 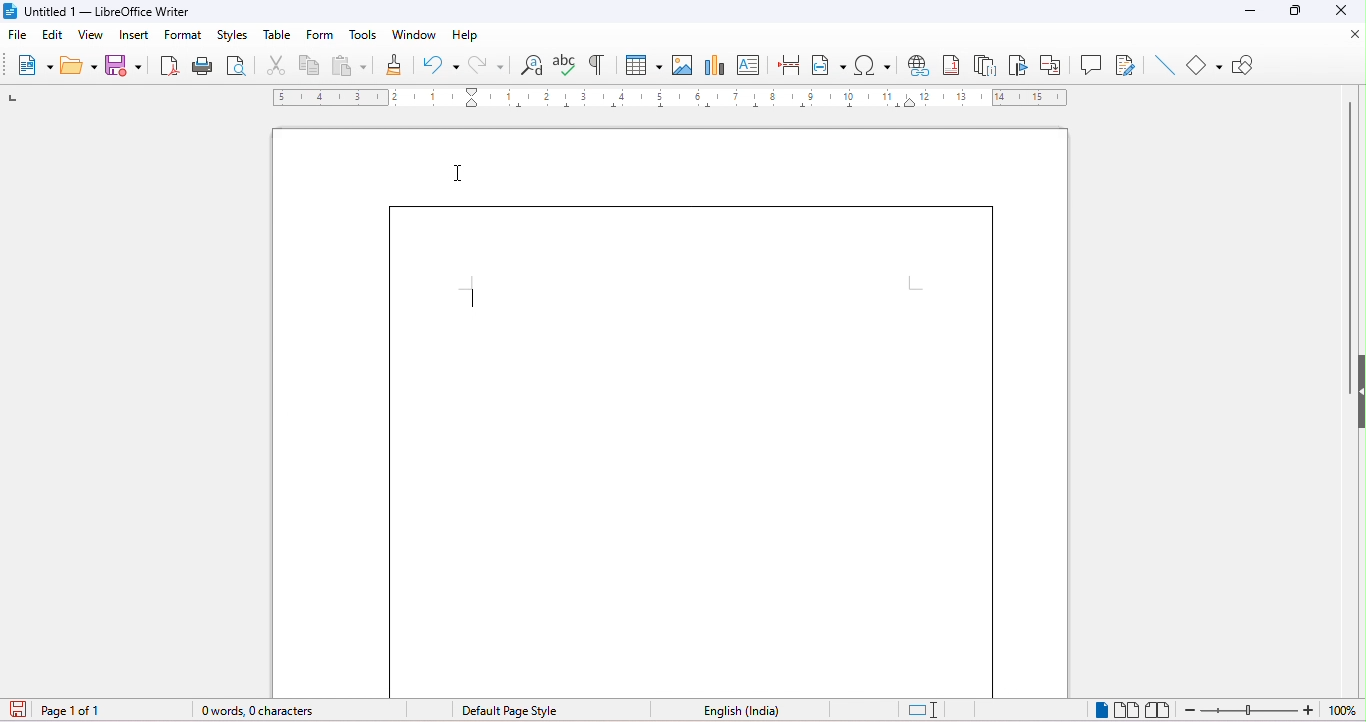 What do you see at coordinates (832, 62) in the screenshot?
I see `field` at bounding box center [832, 62].